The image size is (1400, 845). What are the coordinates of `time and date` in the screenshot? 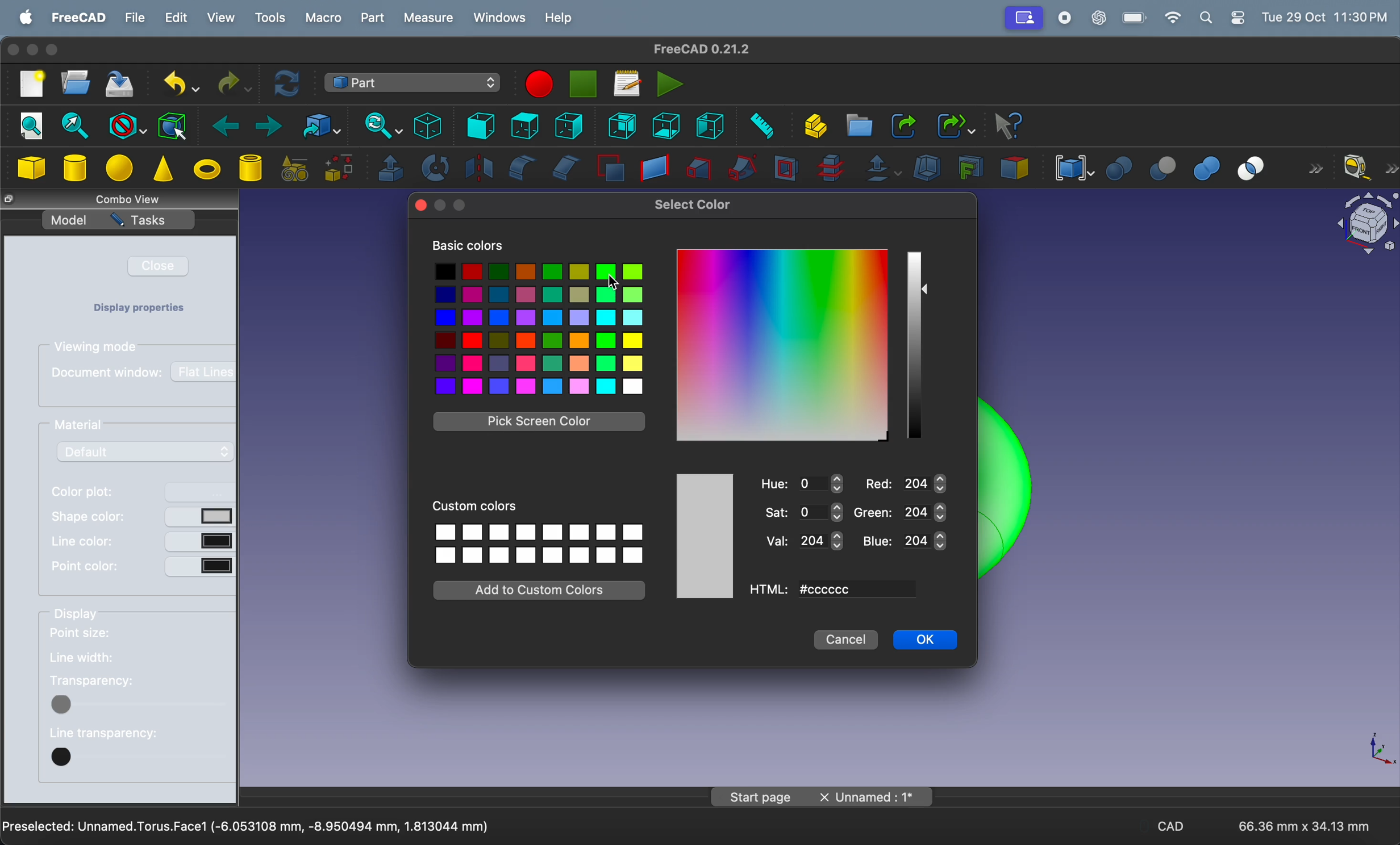 It's located at (1327, 16).